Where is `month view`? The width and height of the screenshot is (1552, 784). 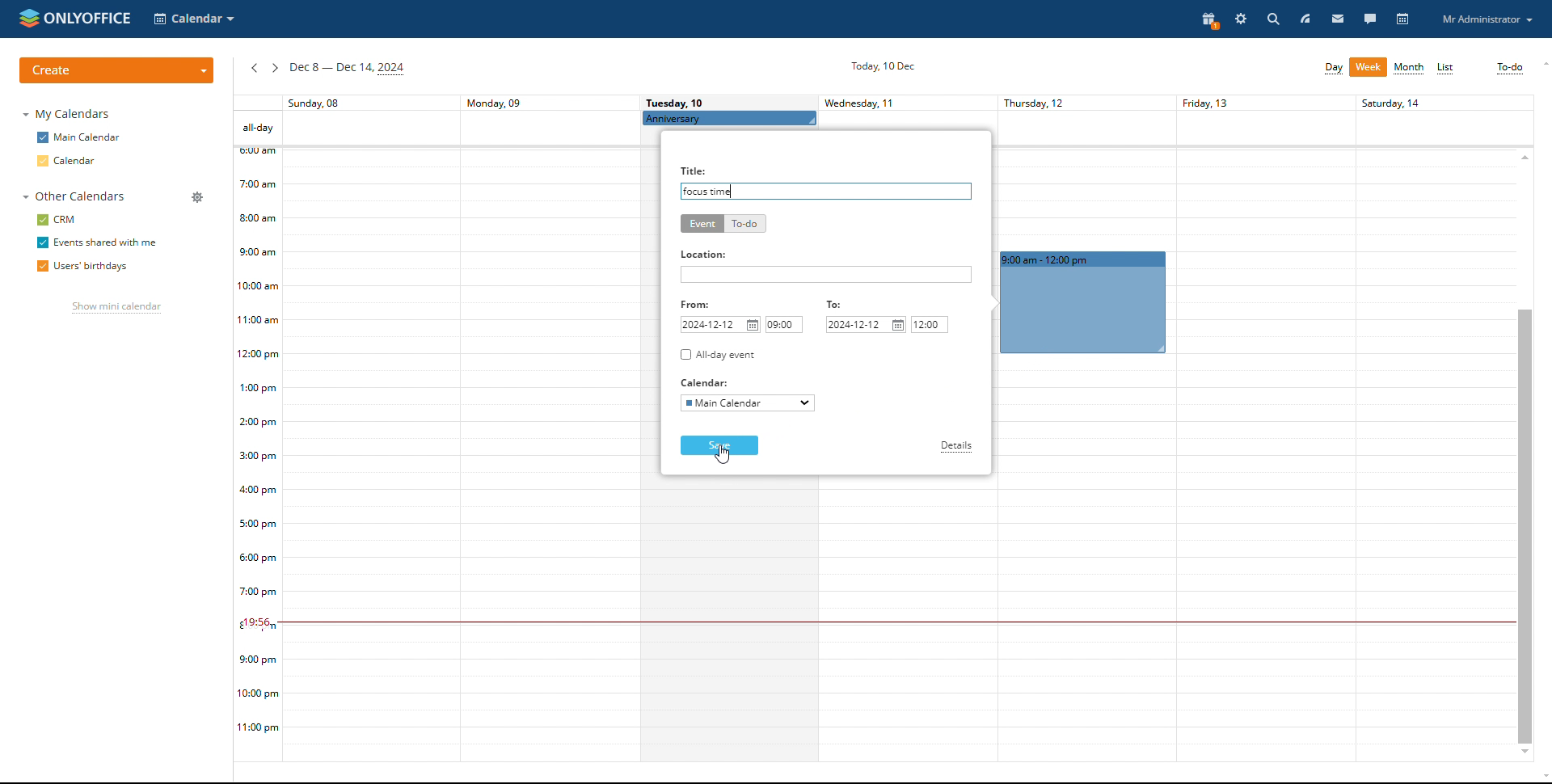 month view is located at coordinates (1410, 69).